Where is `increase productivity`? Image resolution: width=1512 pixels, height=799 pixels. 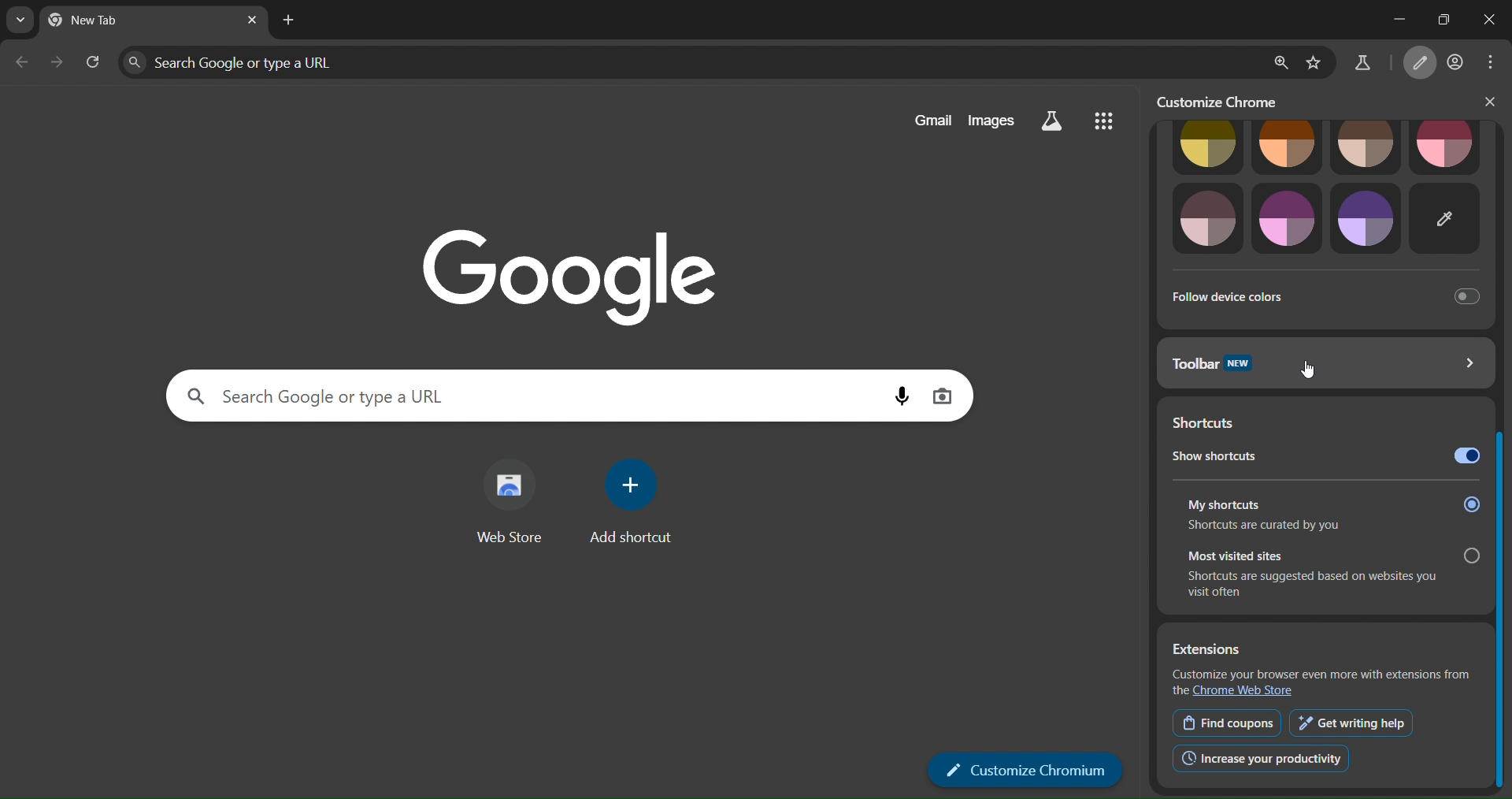
increase productivity is located at coordinates (1262, 760).